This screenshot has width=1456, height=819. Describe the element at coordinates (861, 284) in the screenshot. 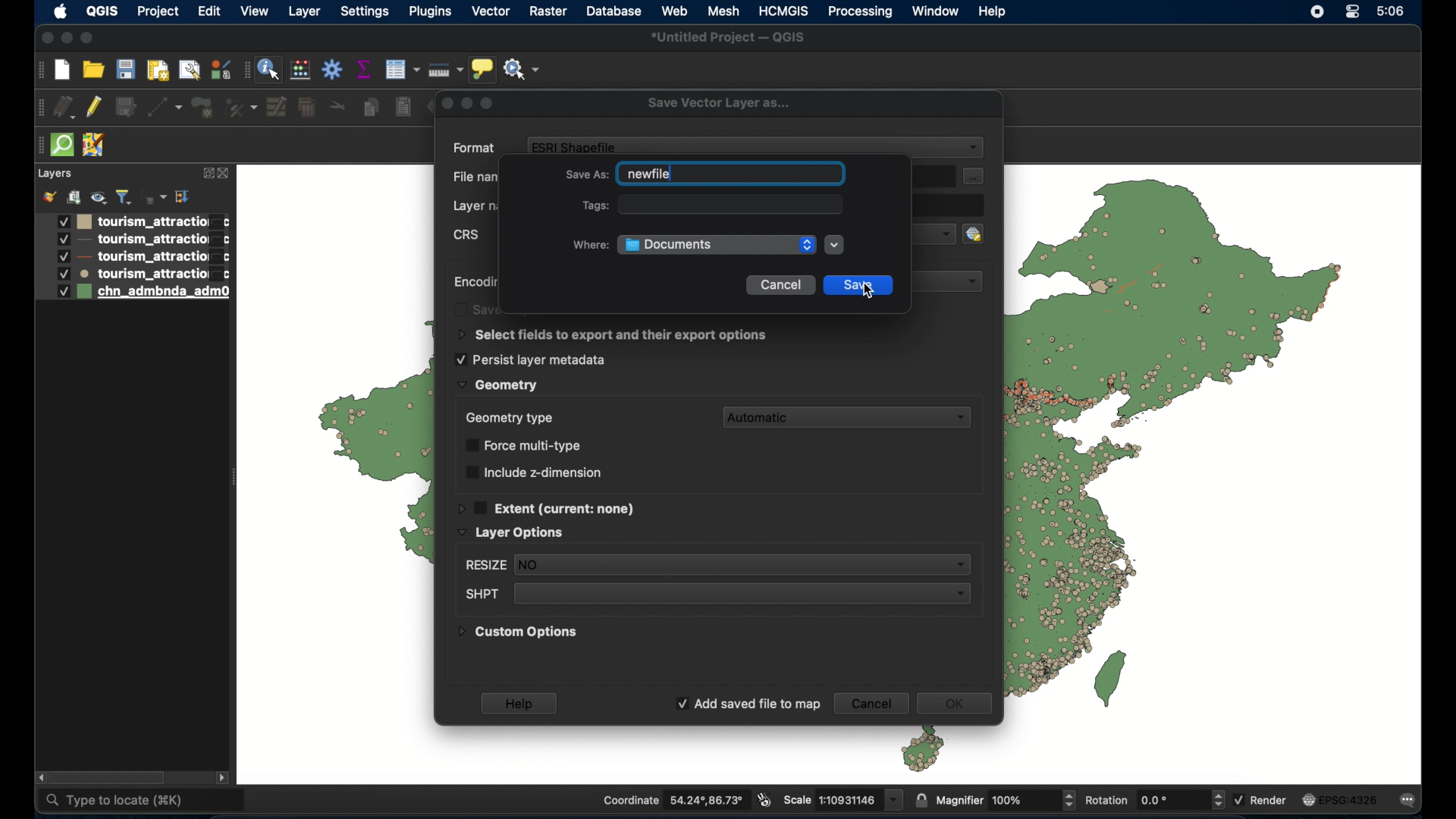

I see `save` at that location.